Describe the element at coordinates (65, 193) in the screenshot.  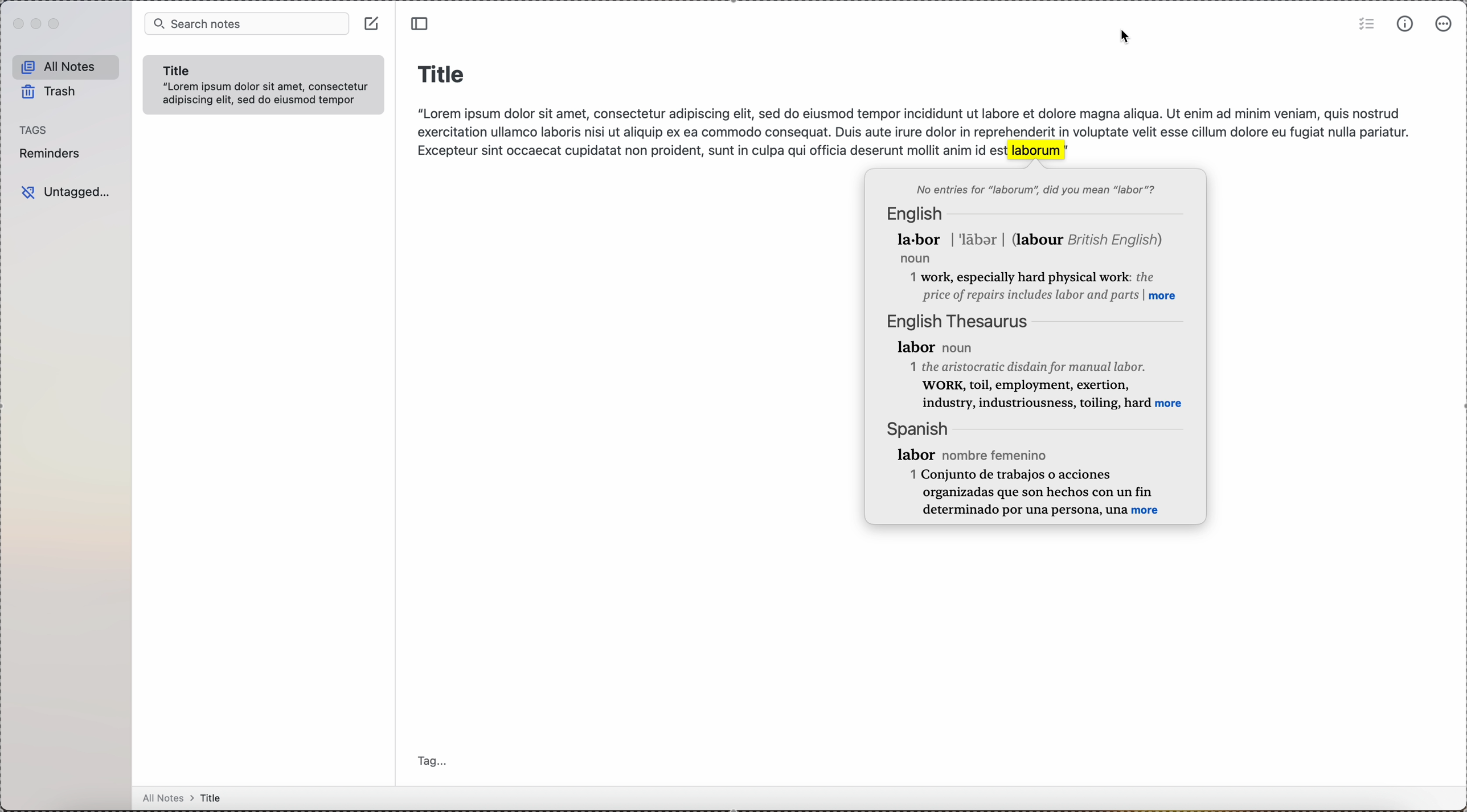
I see `untagged` at that location.